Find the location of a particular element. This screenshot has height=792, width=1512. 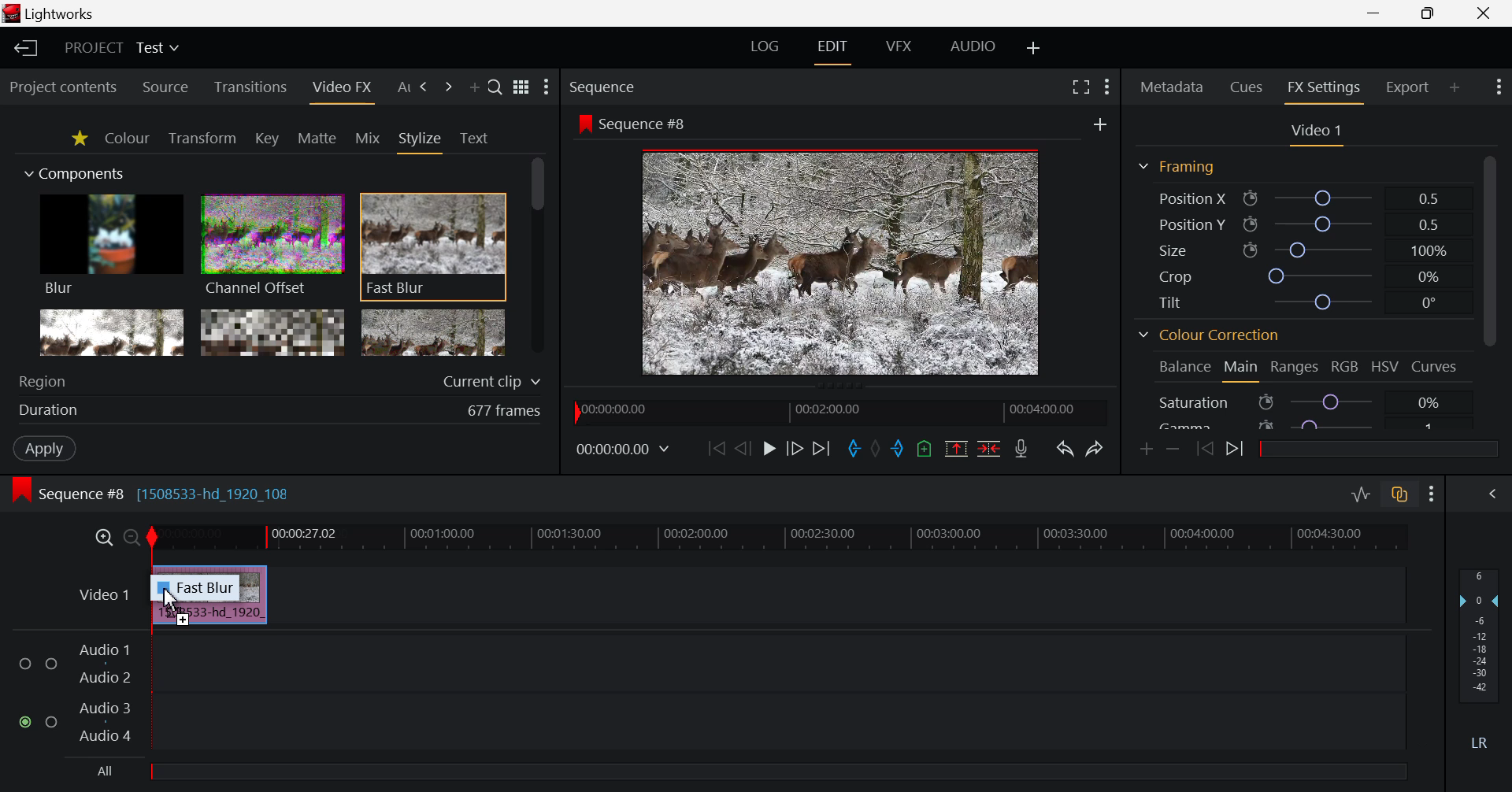

Transform is located at coordinates (203, 138).